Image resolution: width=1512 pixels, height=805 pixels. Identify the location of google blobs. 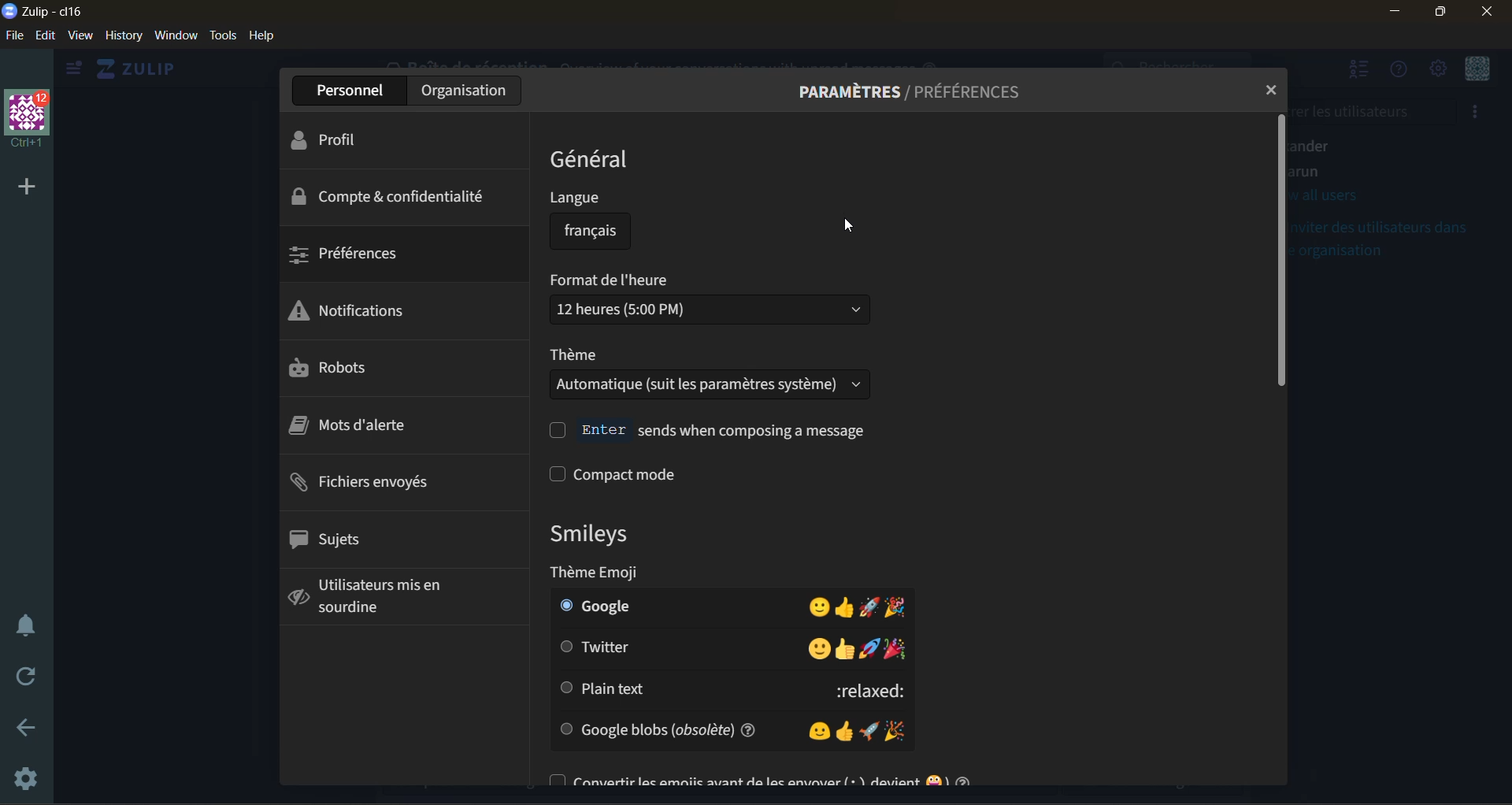
(727, 728).